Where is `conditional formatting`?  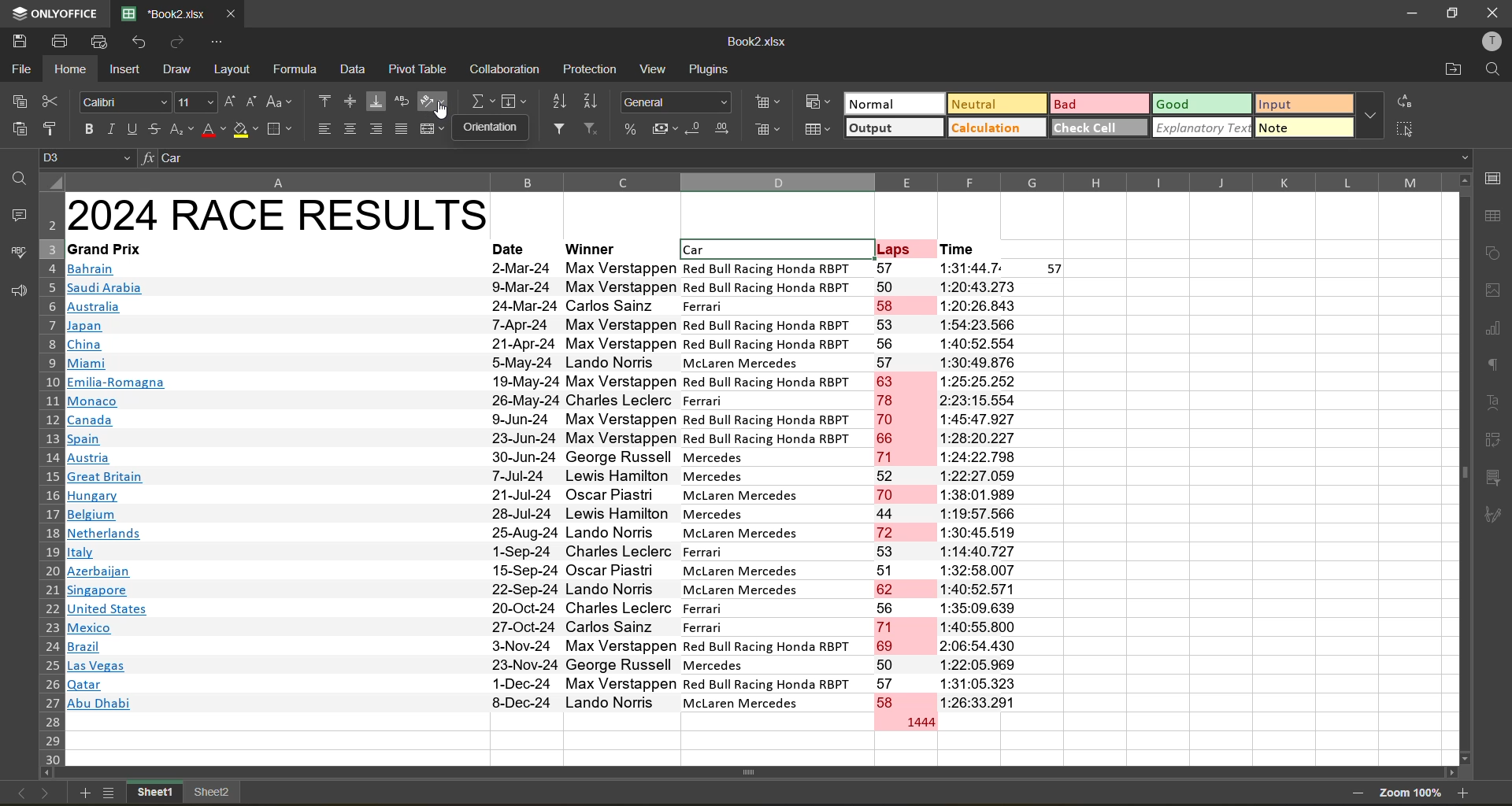 conditional formatting is located at coordinates (817, 100).